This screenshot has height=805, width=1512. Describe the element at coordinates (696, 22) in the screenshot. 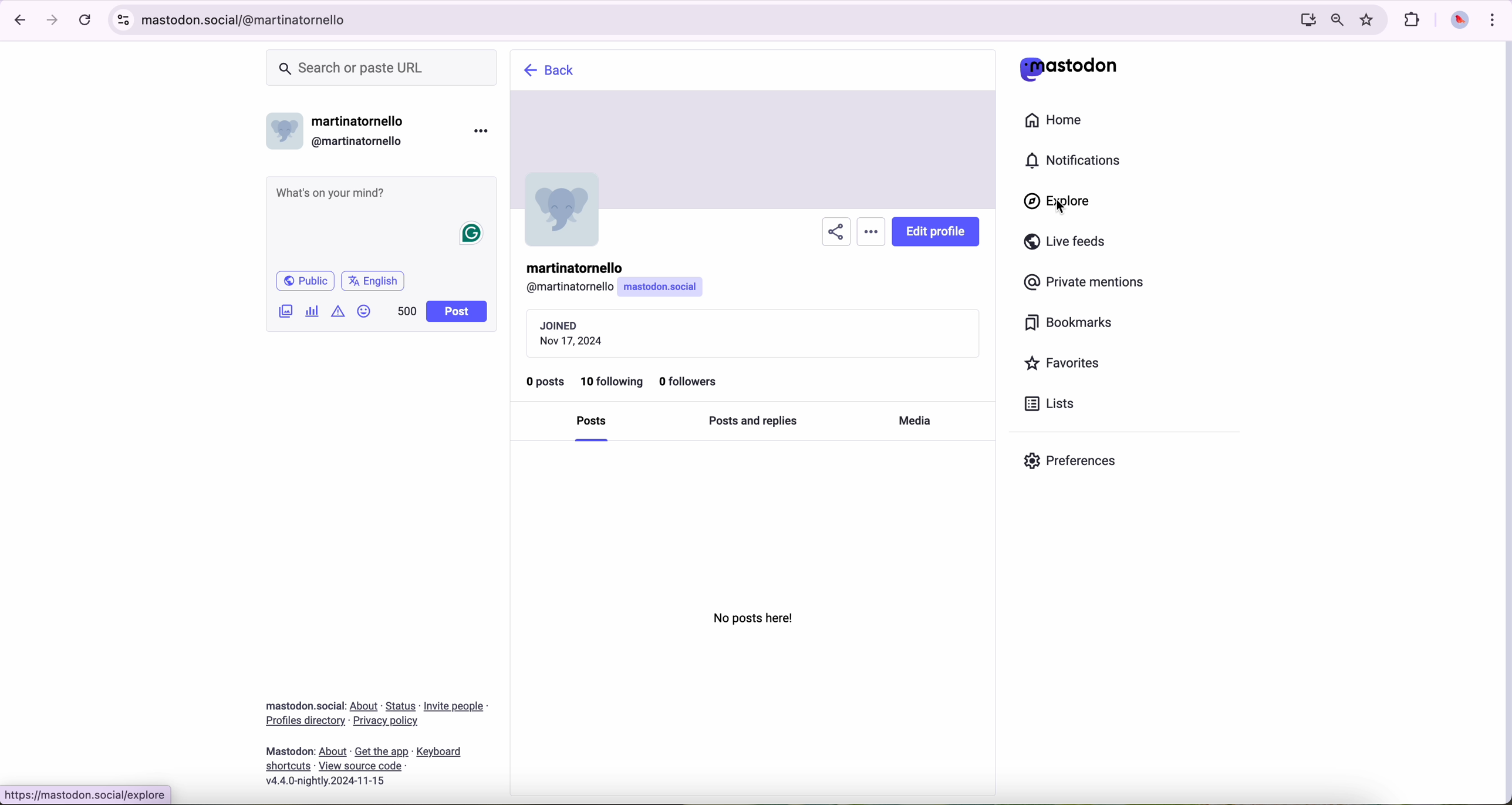

I see `URL` at that location.